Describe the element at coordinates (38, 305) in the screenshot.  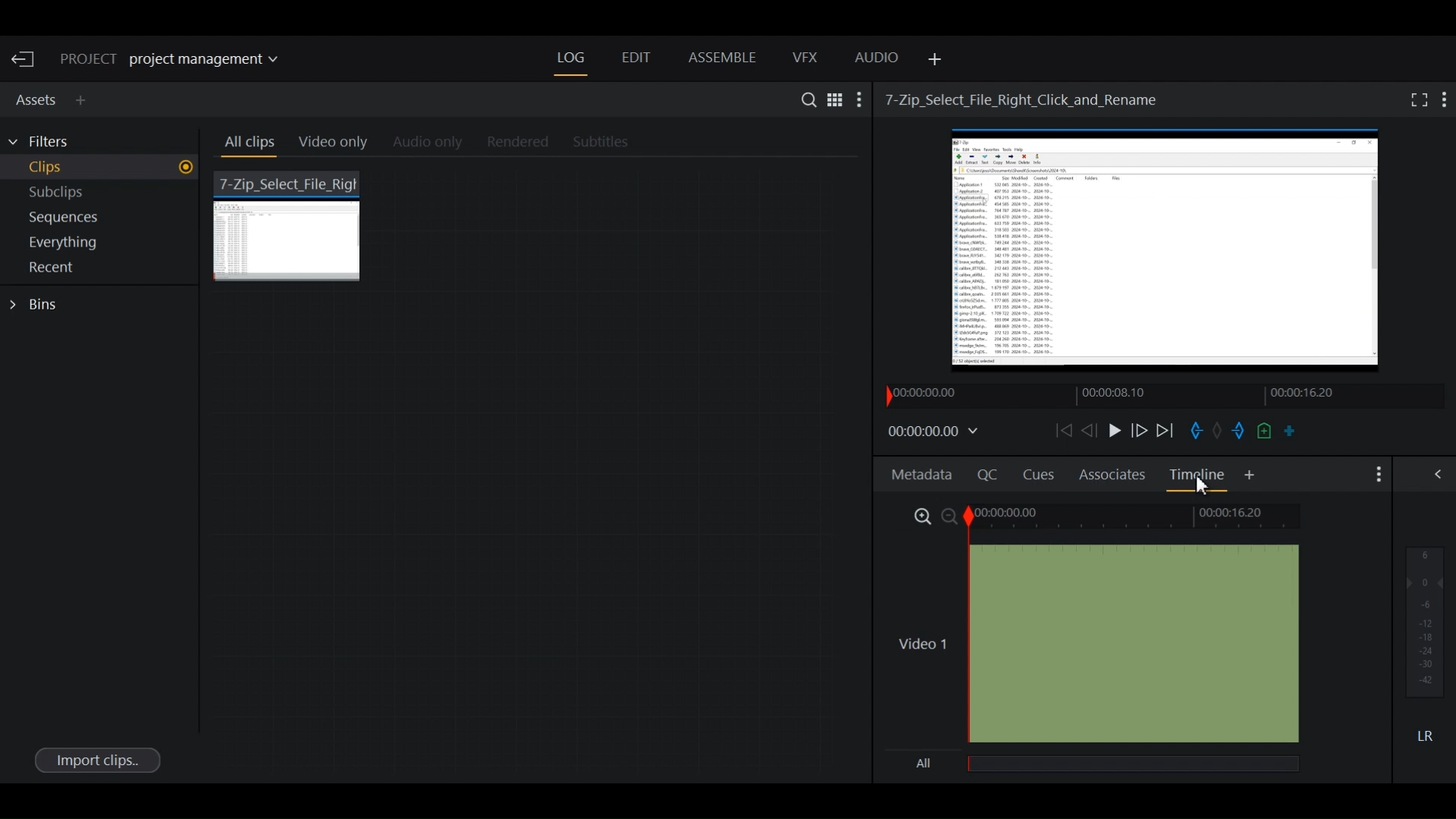
I see `Bins` at that location.